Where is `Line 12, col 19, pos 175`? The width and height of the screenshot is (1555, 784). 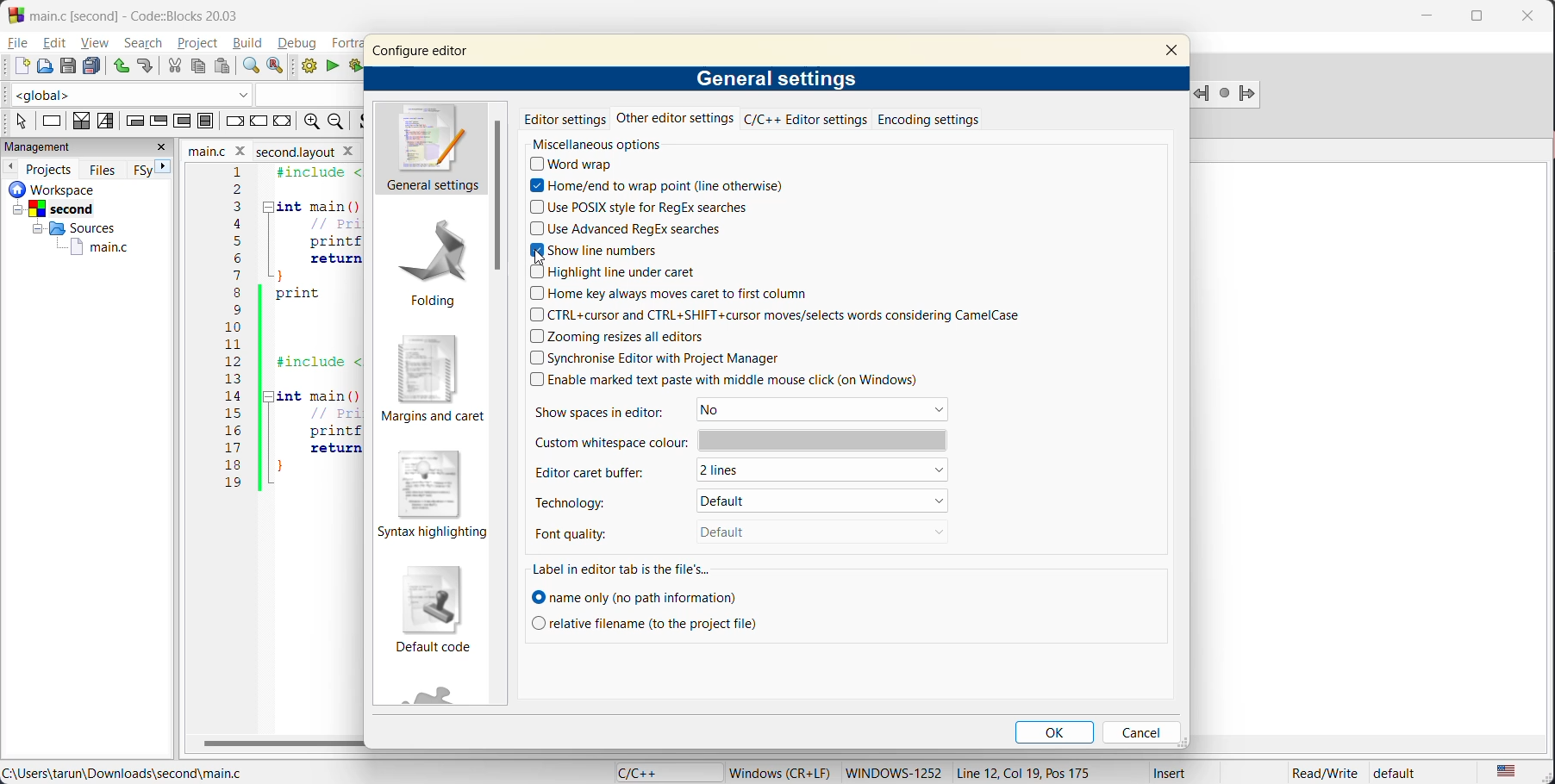
Line 12, col 19, pos 175 is located at coordinates (1034, 773).